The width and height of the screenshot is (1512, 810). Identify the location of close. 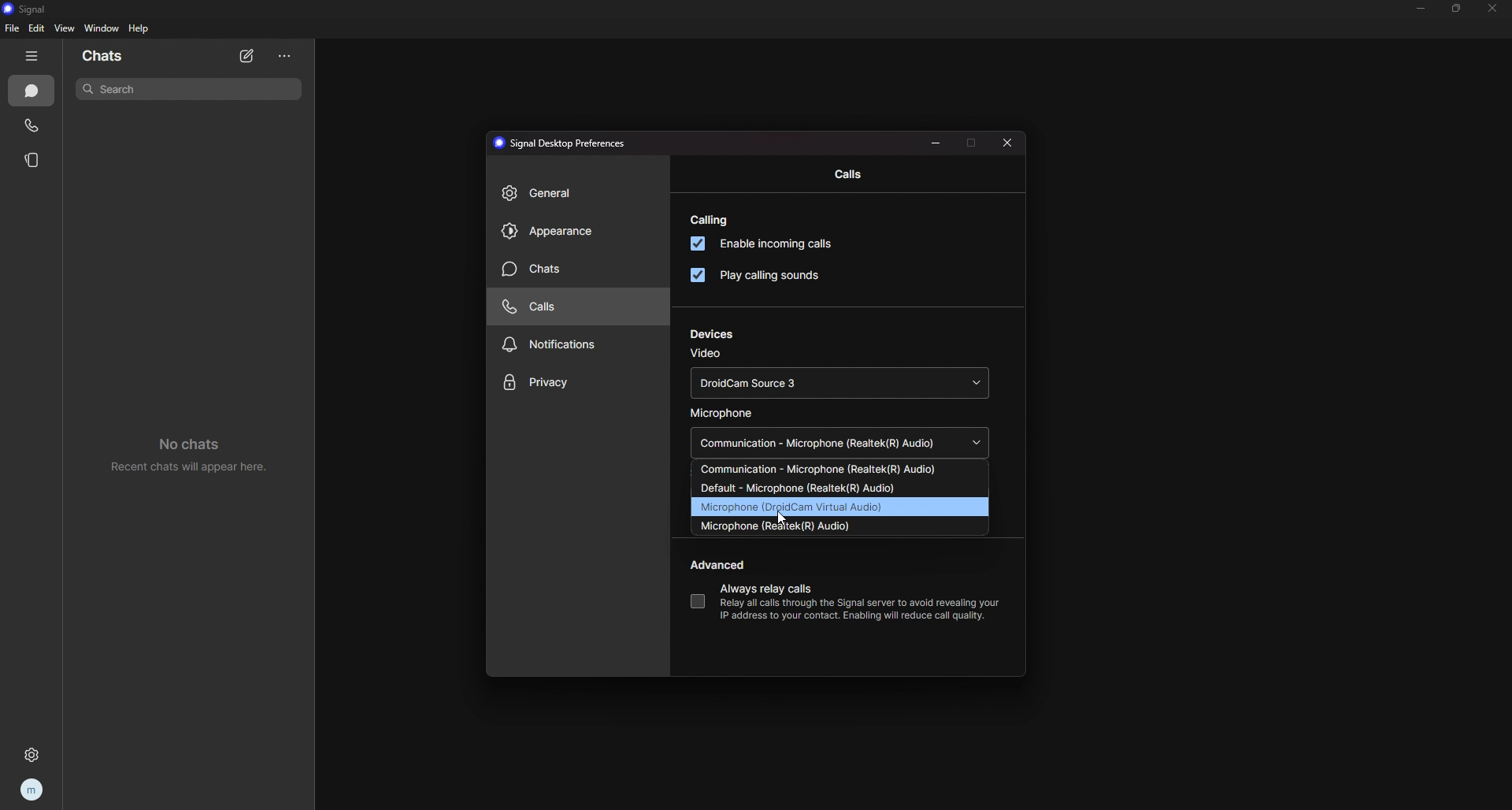
(1007, 143).